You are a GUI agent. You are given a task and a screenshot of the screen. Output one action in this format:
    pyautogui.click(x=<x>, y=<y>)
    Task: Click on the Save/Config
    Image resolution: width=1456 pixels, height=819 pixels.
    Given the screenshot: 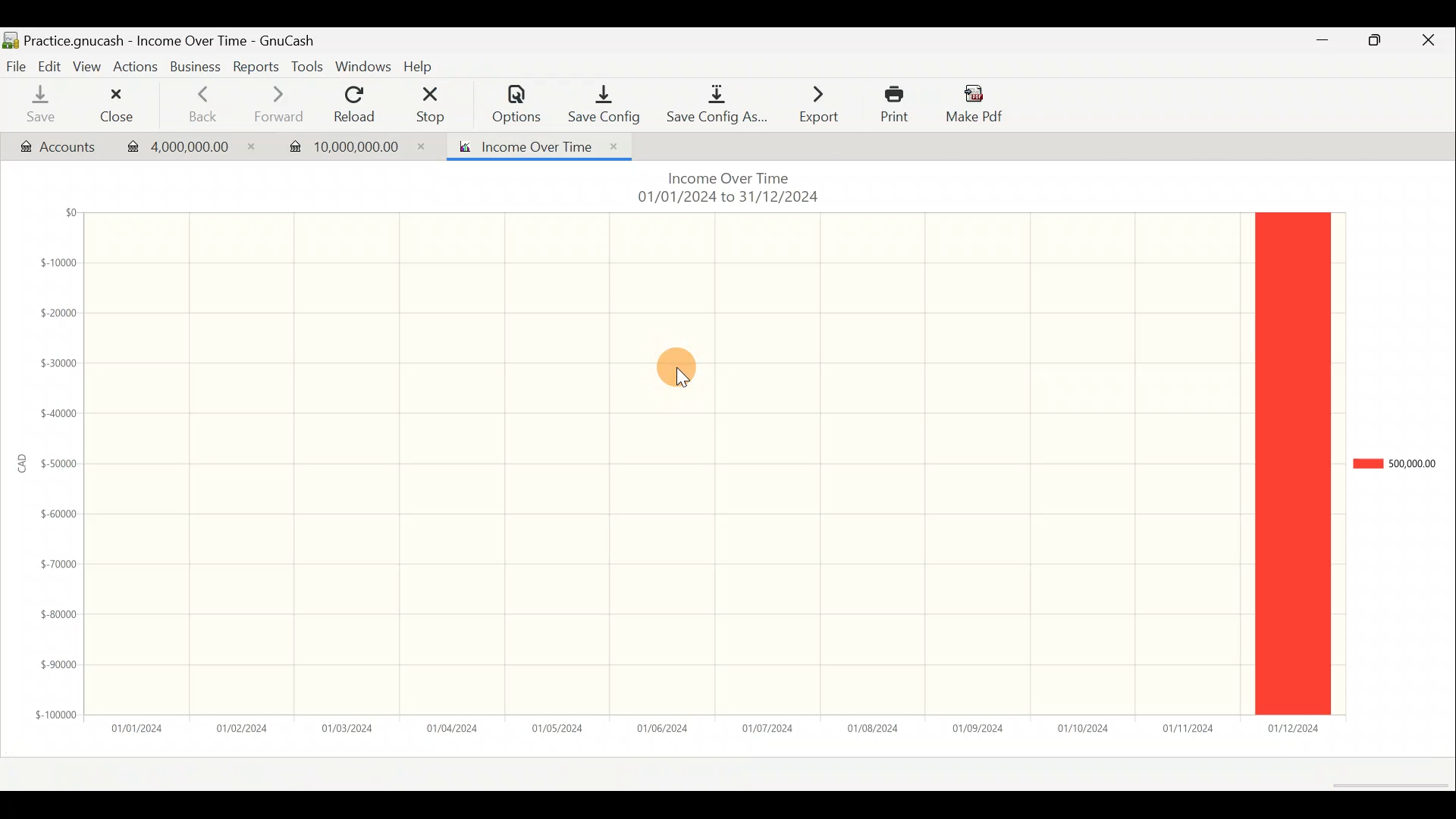 What is the action you would take?
    pyautogui.click(x=605, y=101)
    